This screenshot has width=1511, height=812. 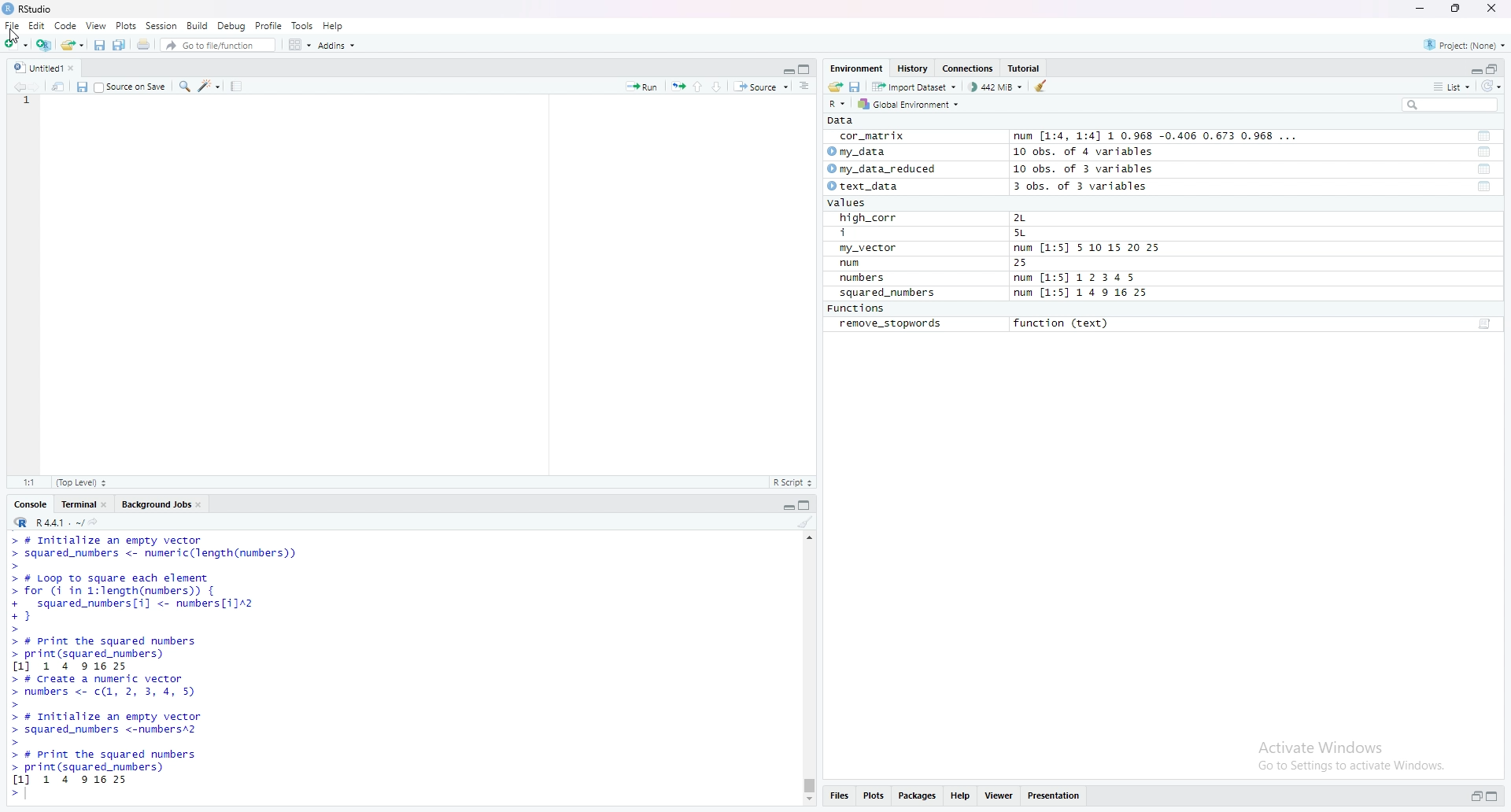 I want to click on Background job, so click(x=155, y=506).